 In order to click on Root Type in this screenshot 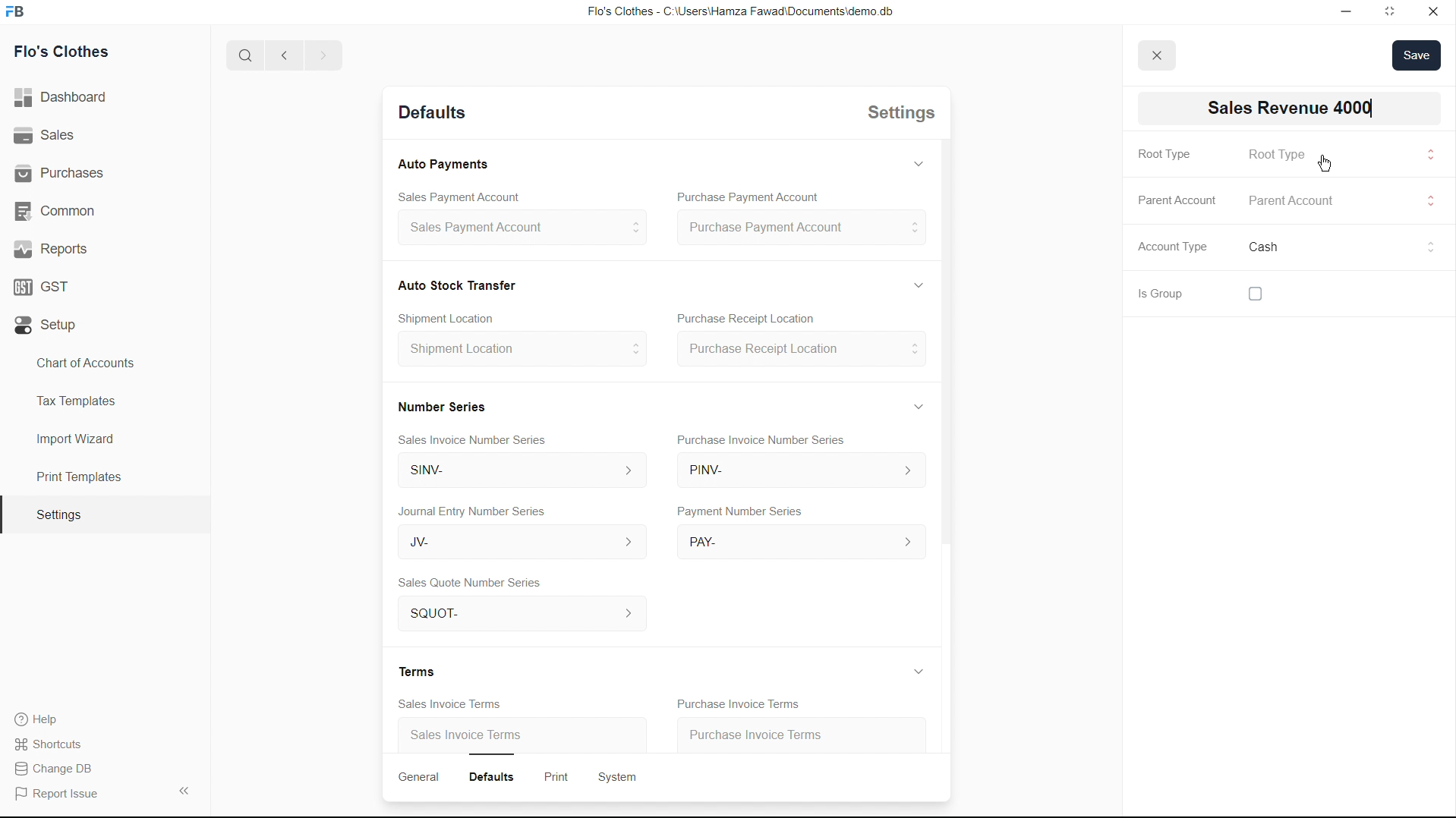, I will do `click(1278, 154)`.